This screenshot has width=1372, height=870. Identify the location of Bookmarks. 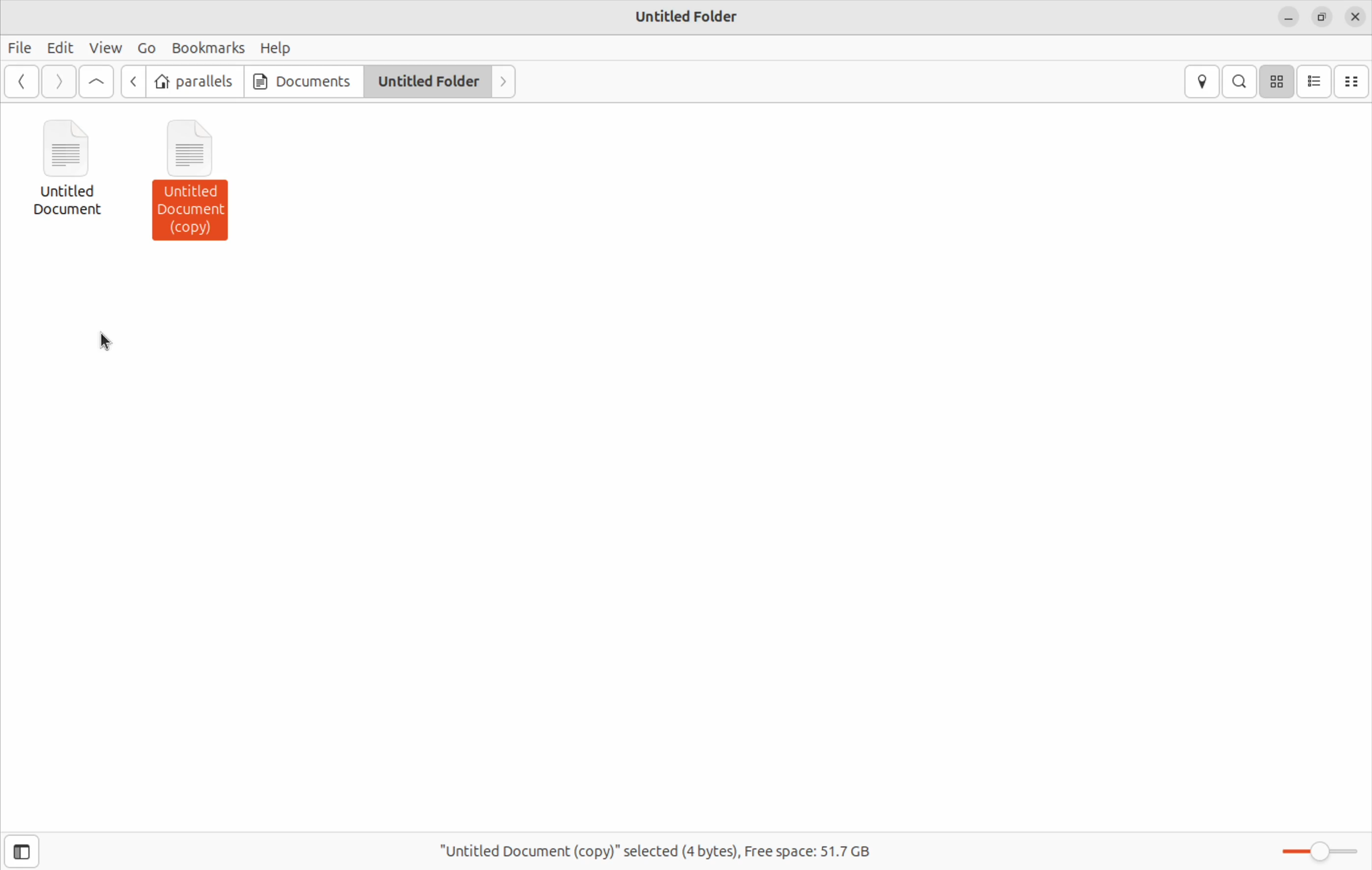
(208, 48).